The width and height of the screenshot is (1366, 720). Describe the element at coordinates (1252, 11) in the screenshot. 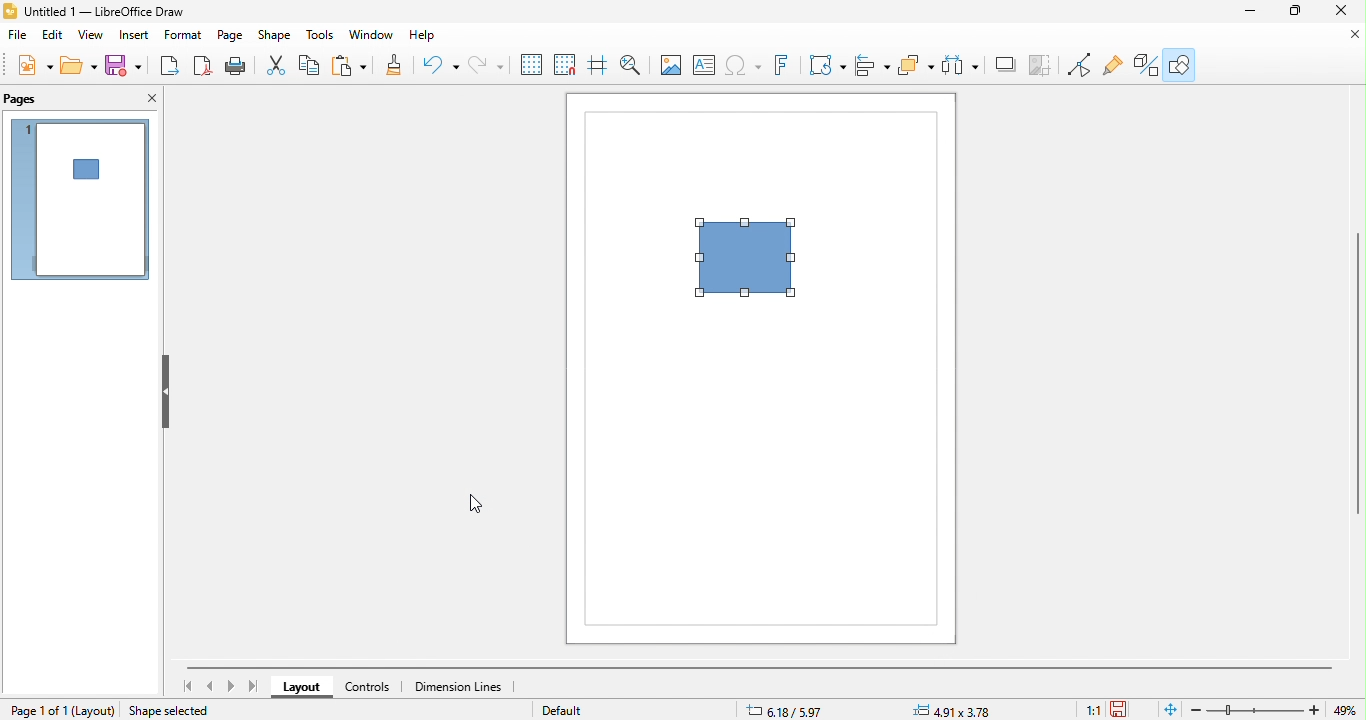

I see `minimize` at that location.